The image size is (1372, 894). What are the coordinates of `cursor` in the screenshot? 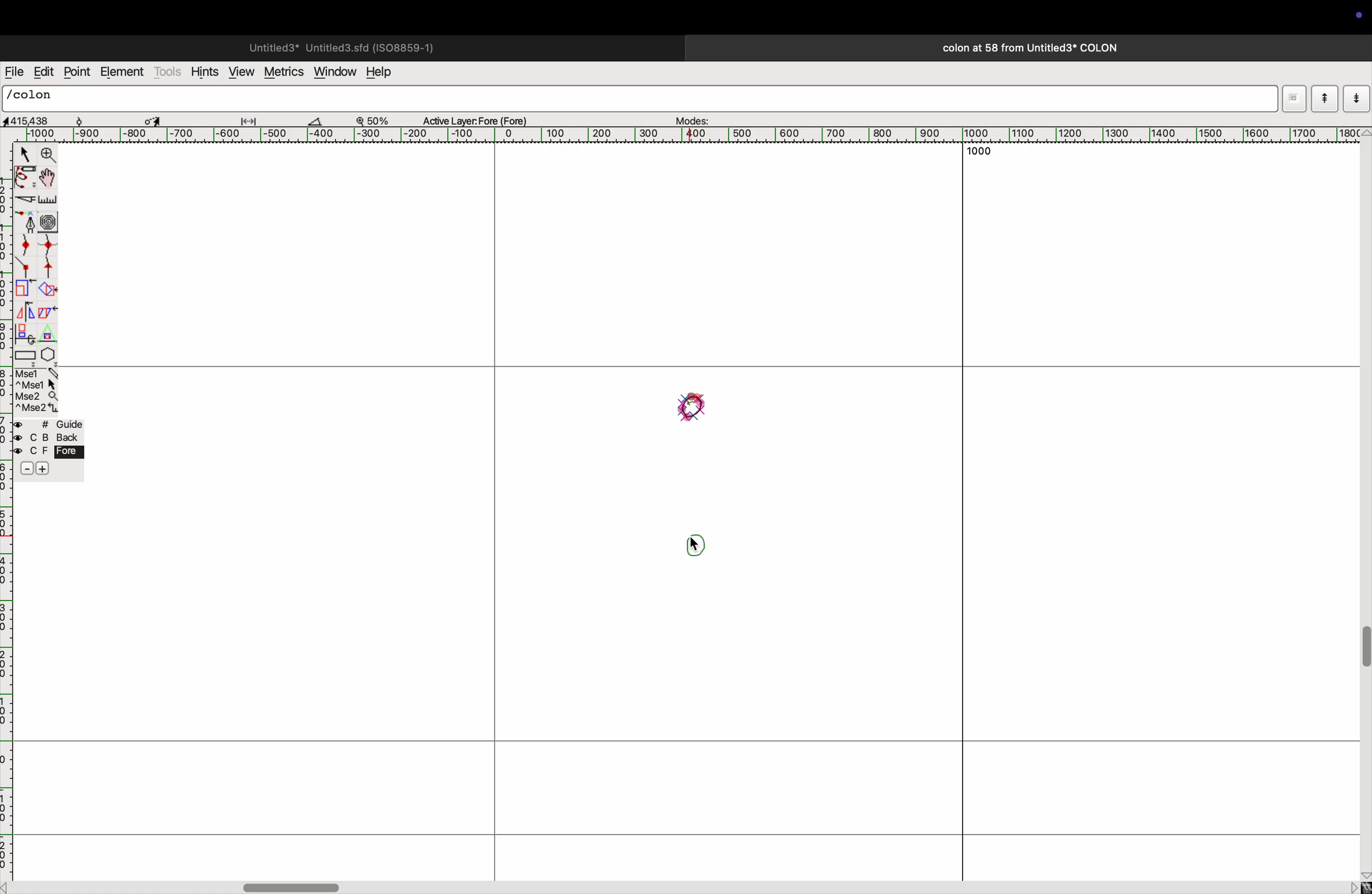 It's located at (22, 153).